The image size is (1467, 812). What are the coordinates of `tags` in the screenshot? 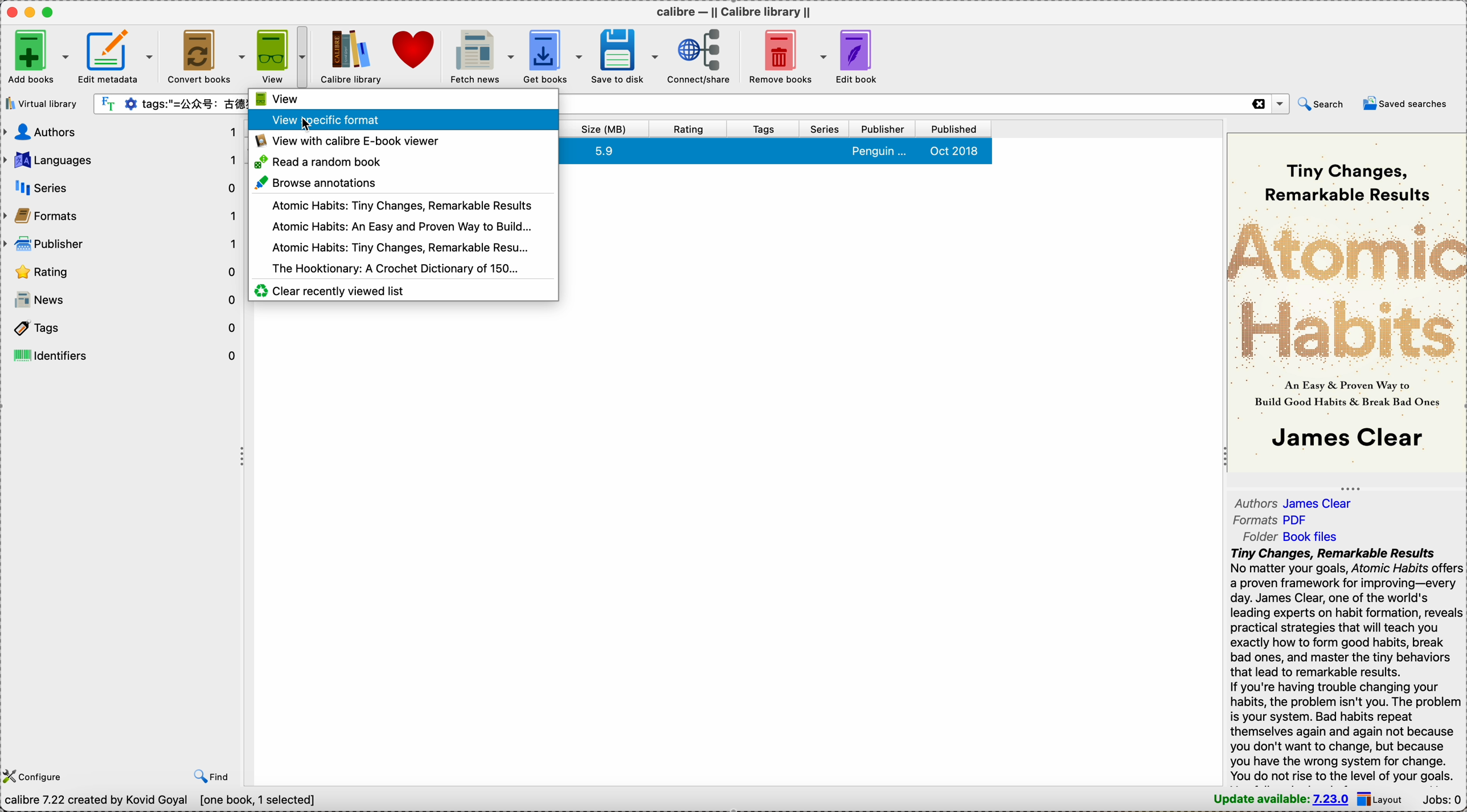 It's located at (765, 128).